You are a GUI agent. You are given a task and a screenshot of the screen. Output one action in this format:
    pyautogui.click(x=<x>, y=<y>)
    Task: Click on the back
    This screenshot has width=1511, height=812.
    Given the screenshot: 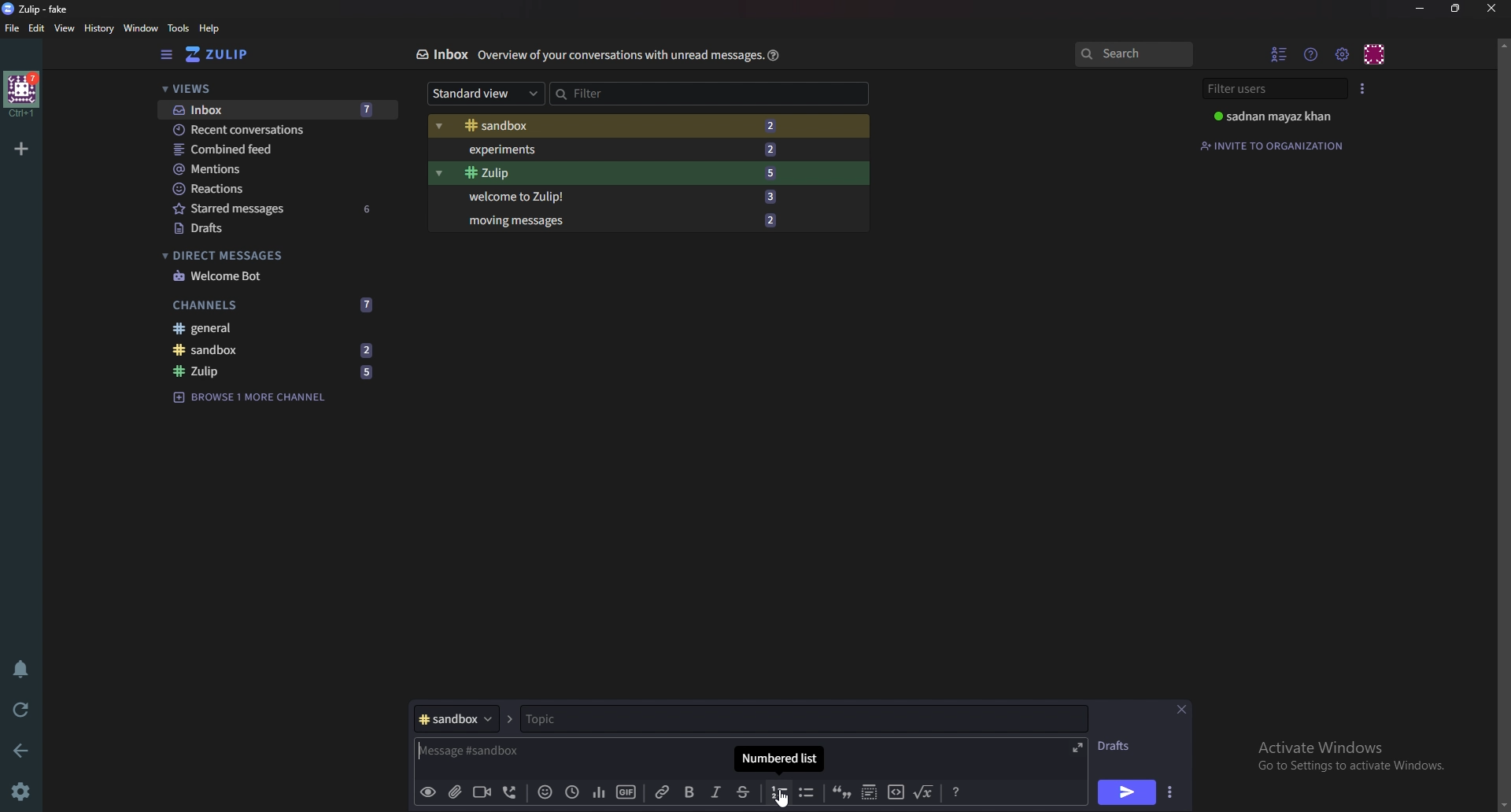 What is the action you would take?
    pyautogui.click(x=24, y=748)
    